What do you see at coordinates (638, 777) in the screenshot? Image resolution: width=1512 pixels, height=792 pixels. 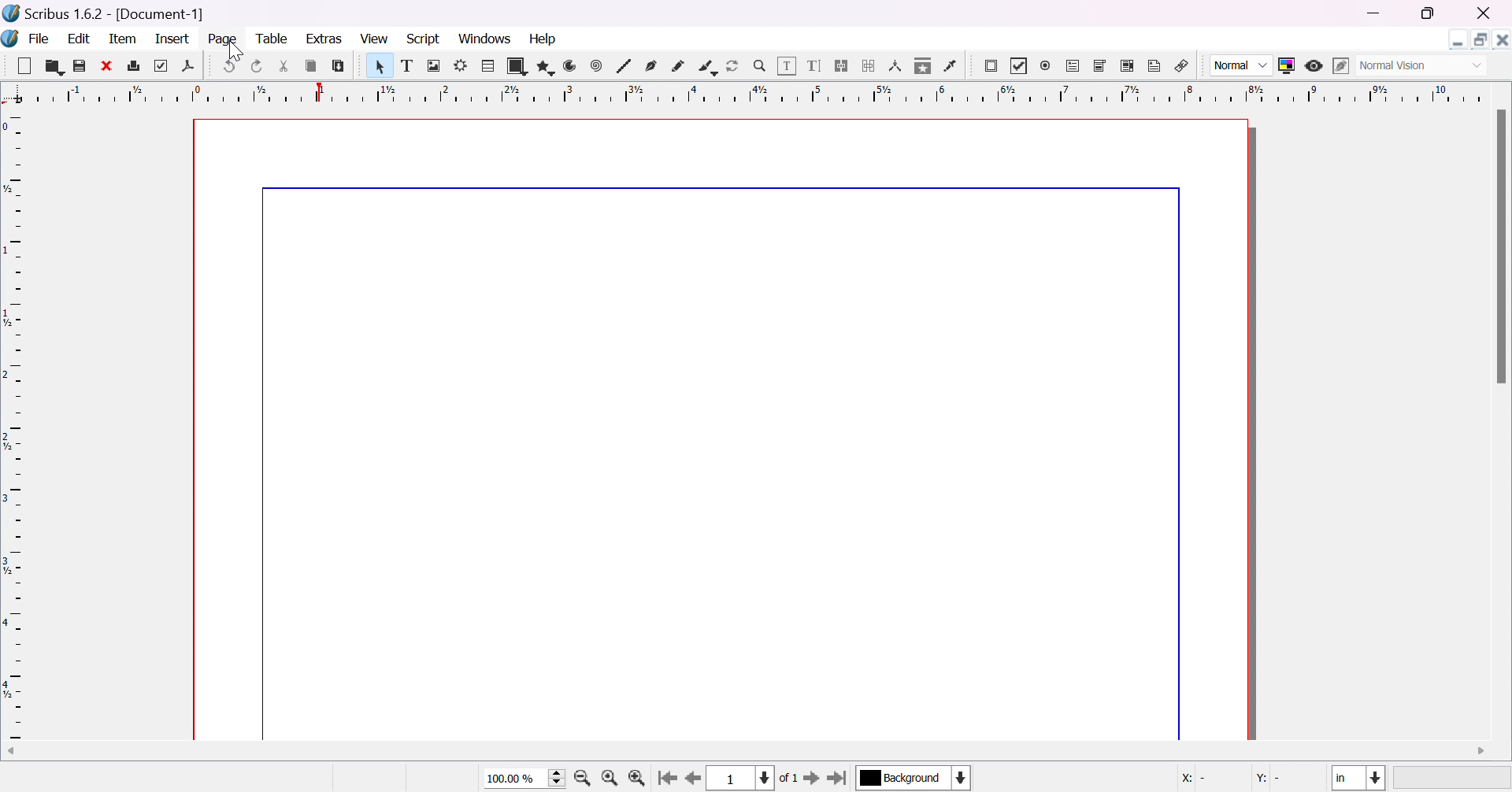 I see `zoom in` at bounding box center [638, 777].